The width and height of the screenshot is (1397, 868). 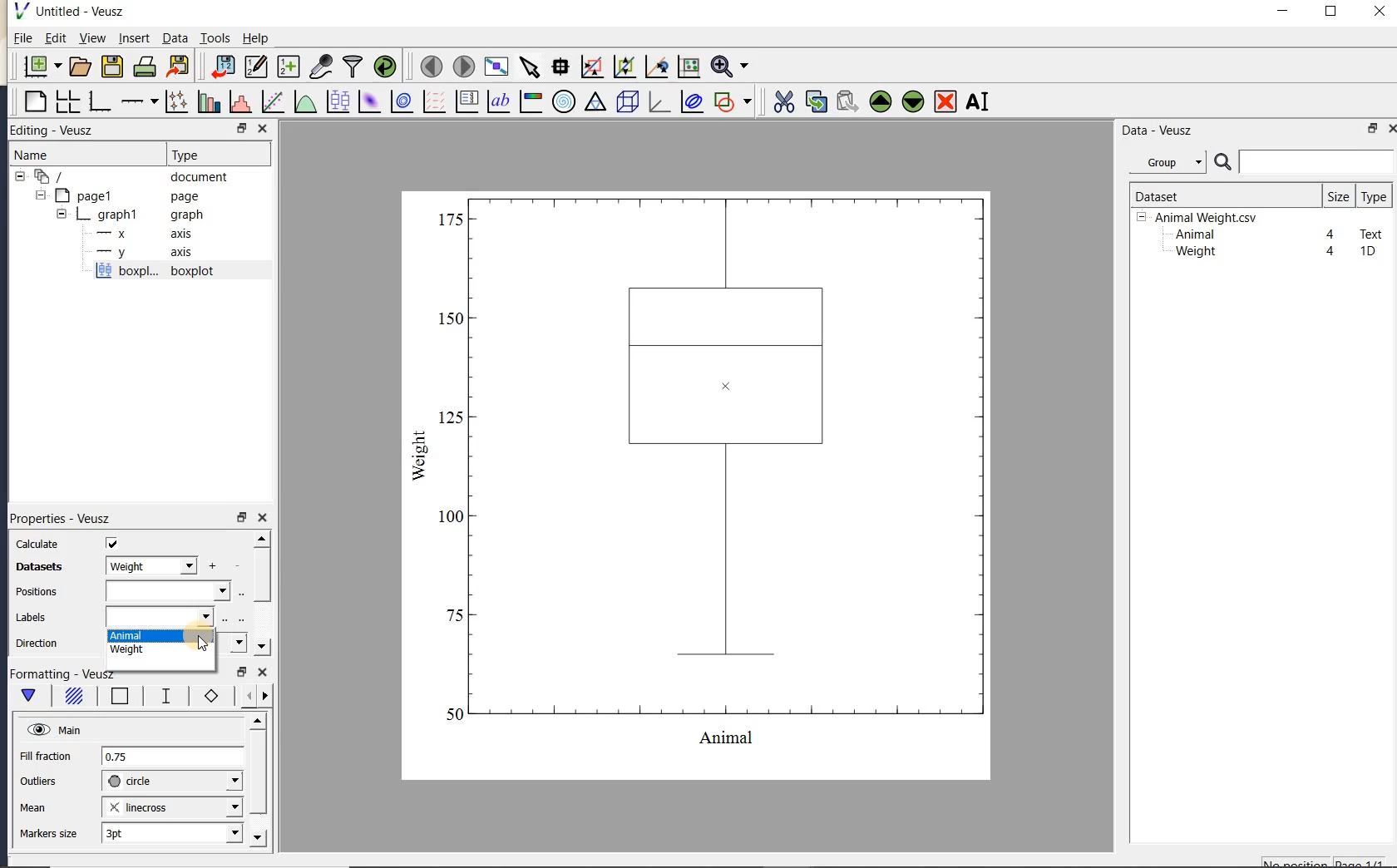 What do you see at coordinates (272, 101) in the screenshot?
I see `fit a function to data` at bounding box center [272, 101].